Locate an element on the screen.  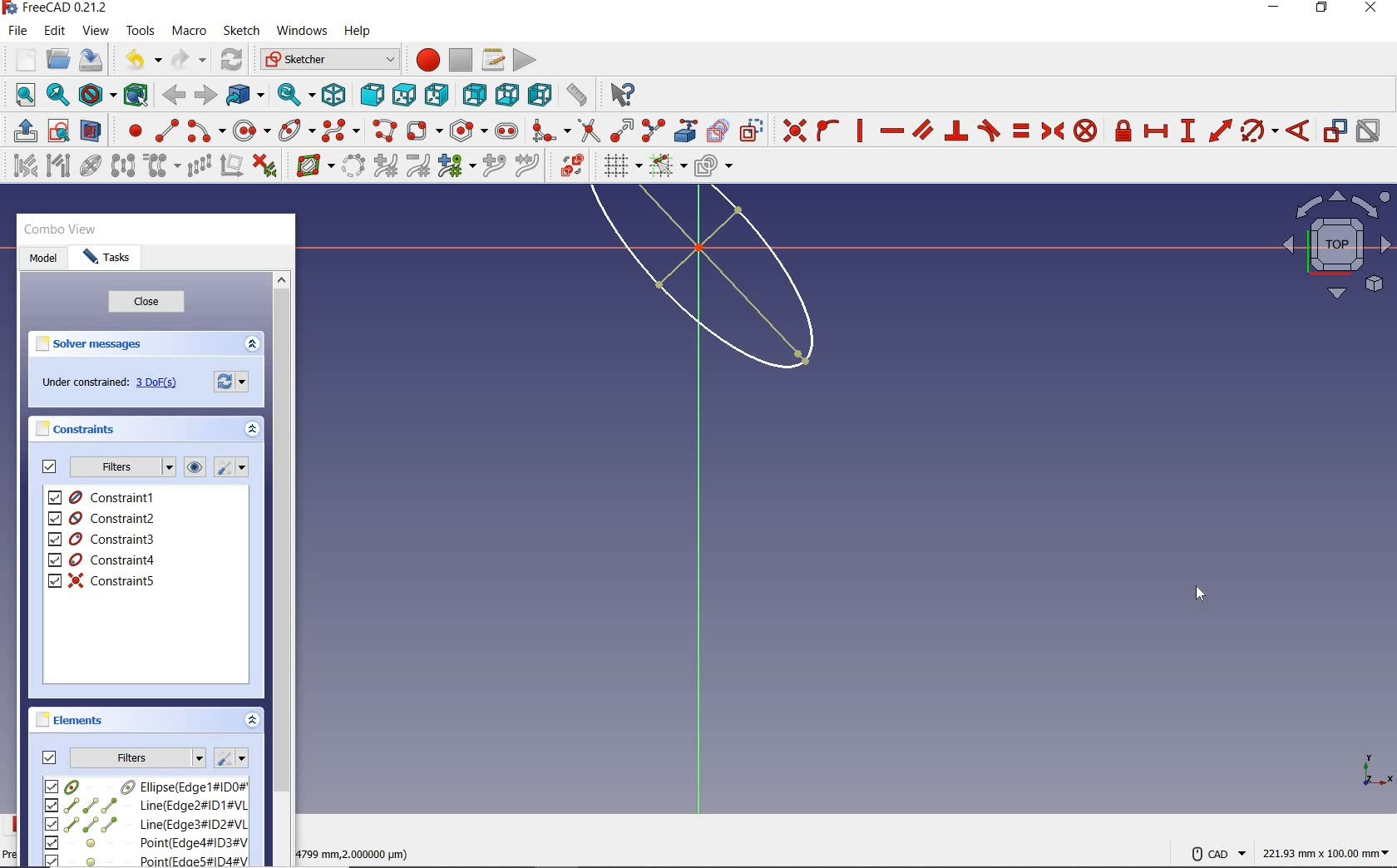
scrollbar is located at coordinates (281, 567).